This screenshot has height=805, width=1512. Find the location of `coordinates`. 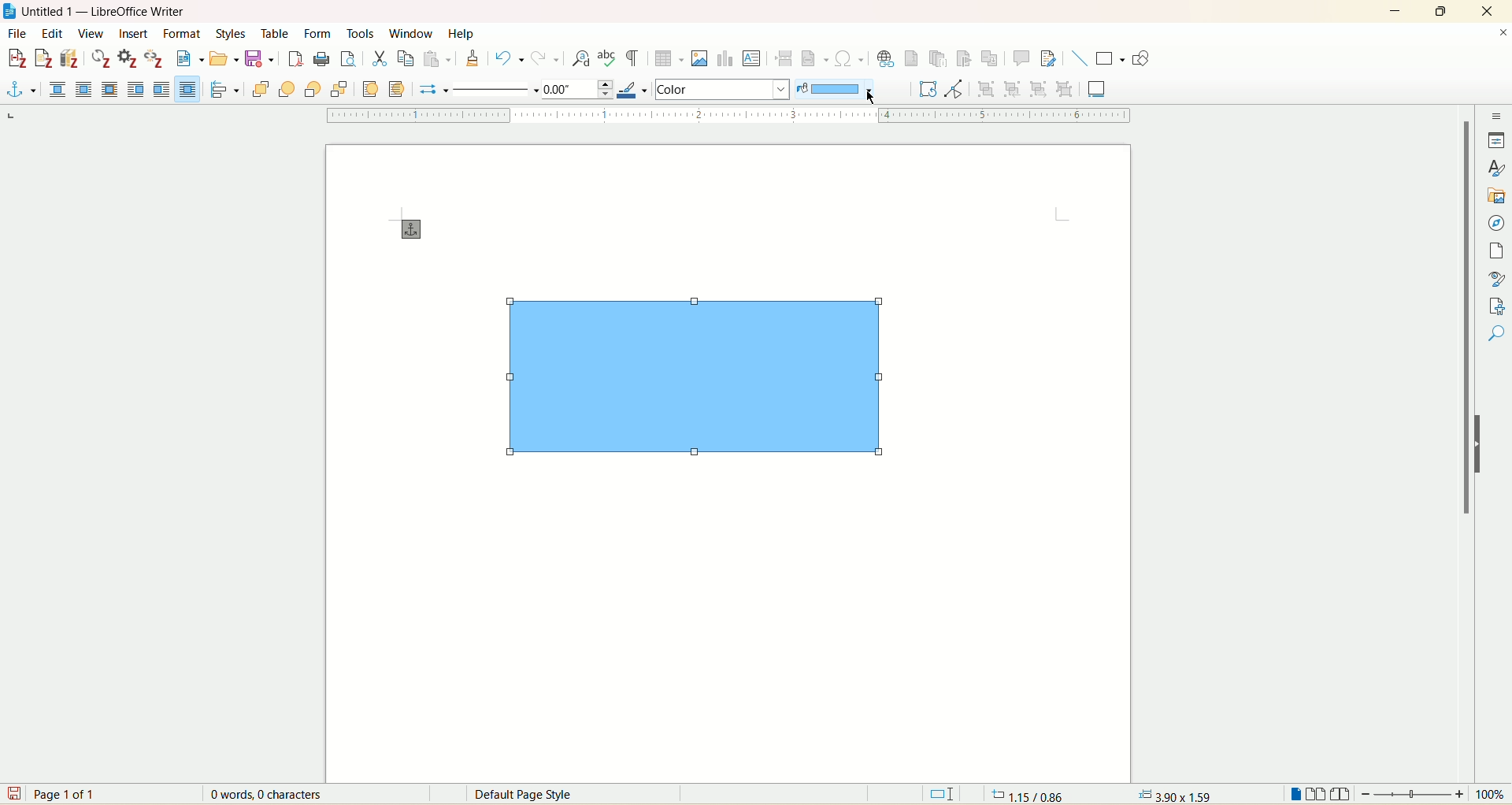

coordinates is located at coordinates (1024, 795).